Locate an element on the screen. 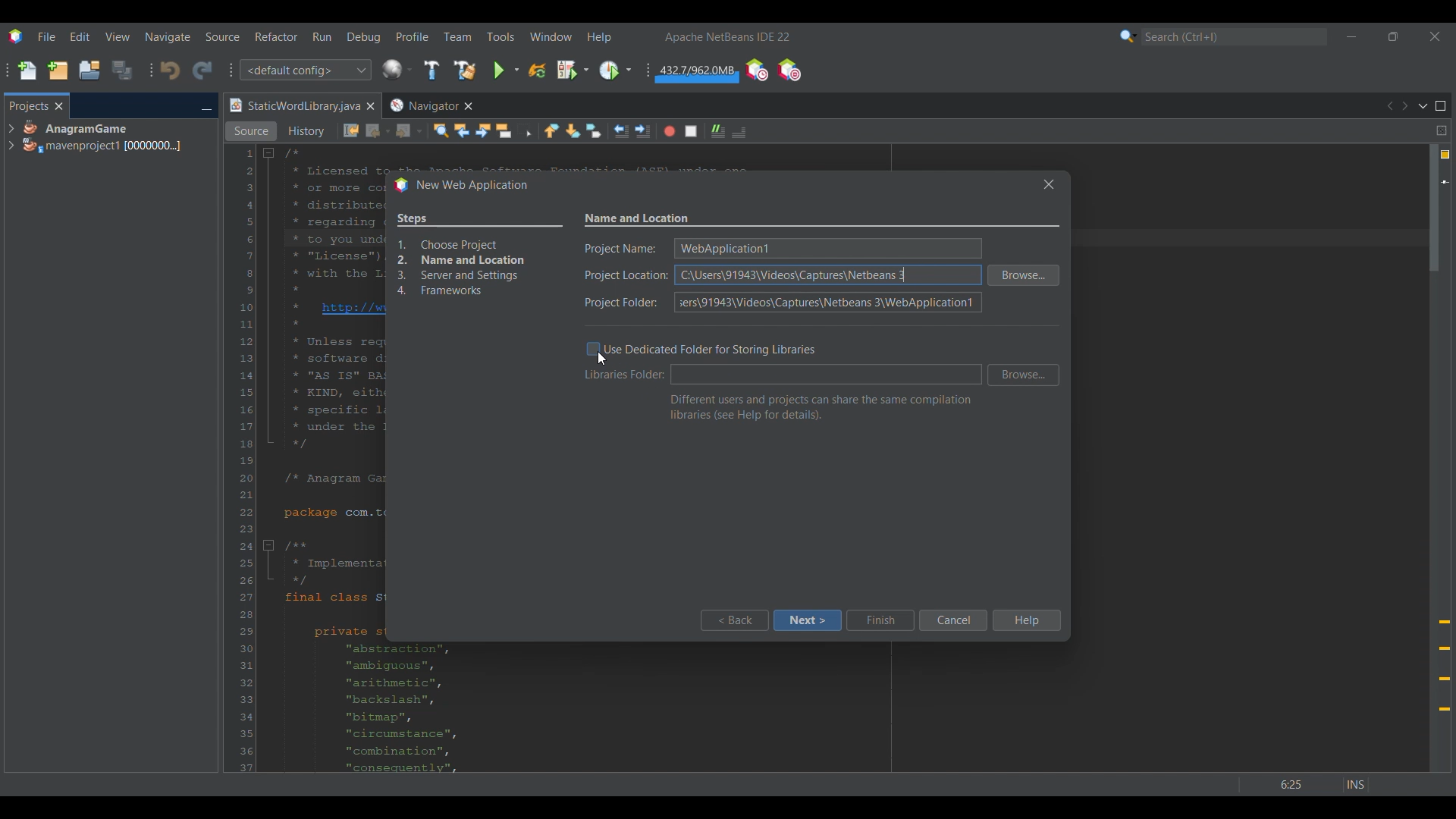  Reload is located at coordinates (537, 71).